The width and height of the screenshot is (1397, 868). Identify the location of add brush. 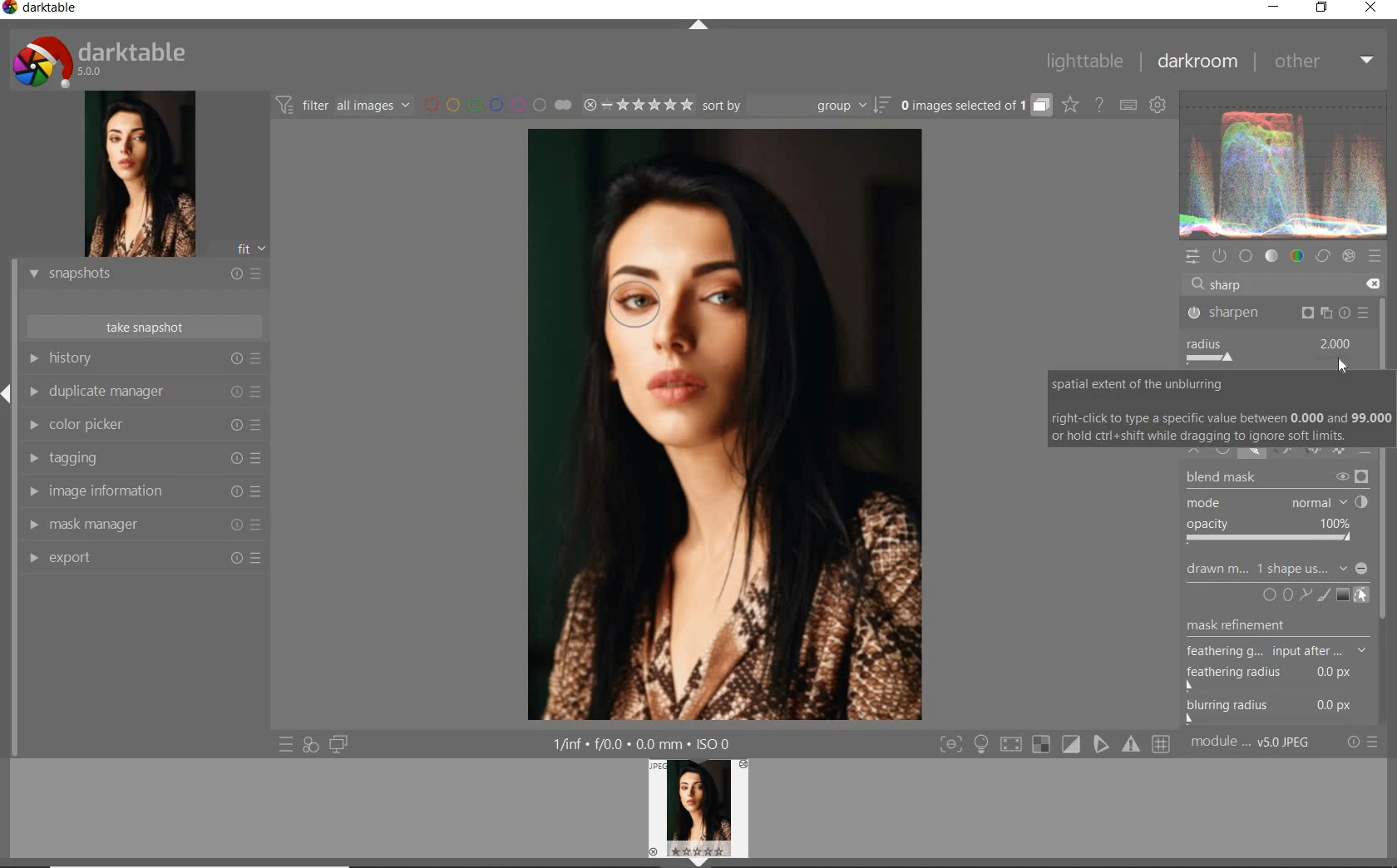
(1324, 593).